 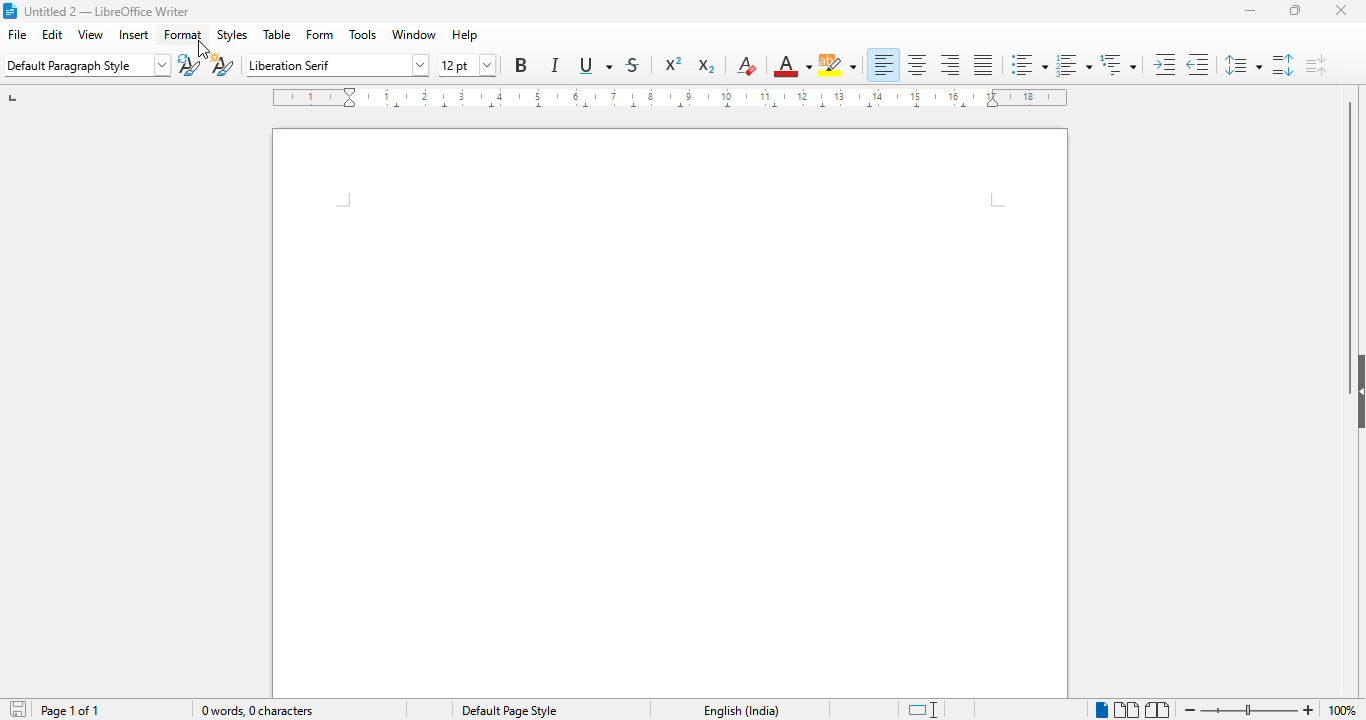 What do you see at coordinates (337, 65) in the screenshot?
I see `font name` at bounding box center [337, 65].